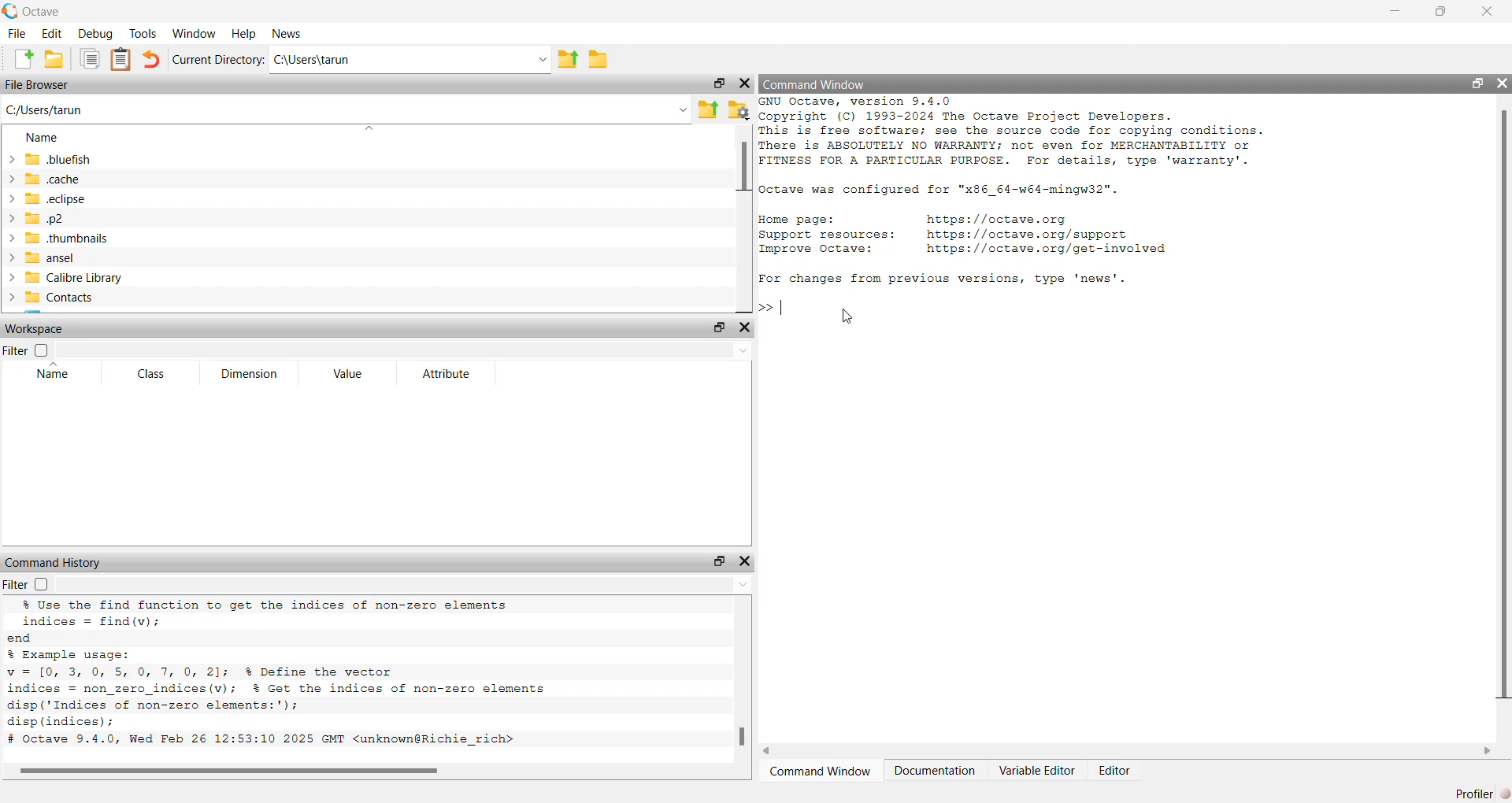 The image size is (1512, 803). What do you see at coordinates (408, 587) in the screenshot?
I see `dropdown` at bounding box center [408, 587].